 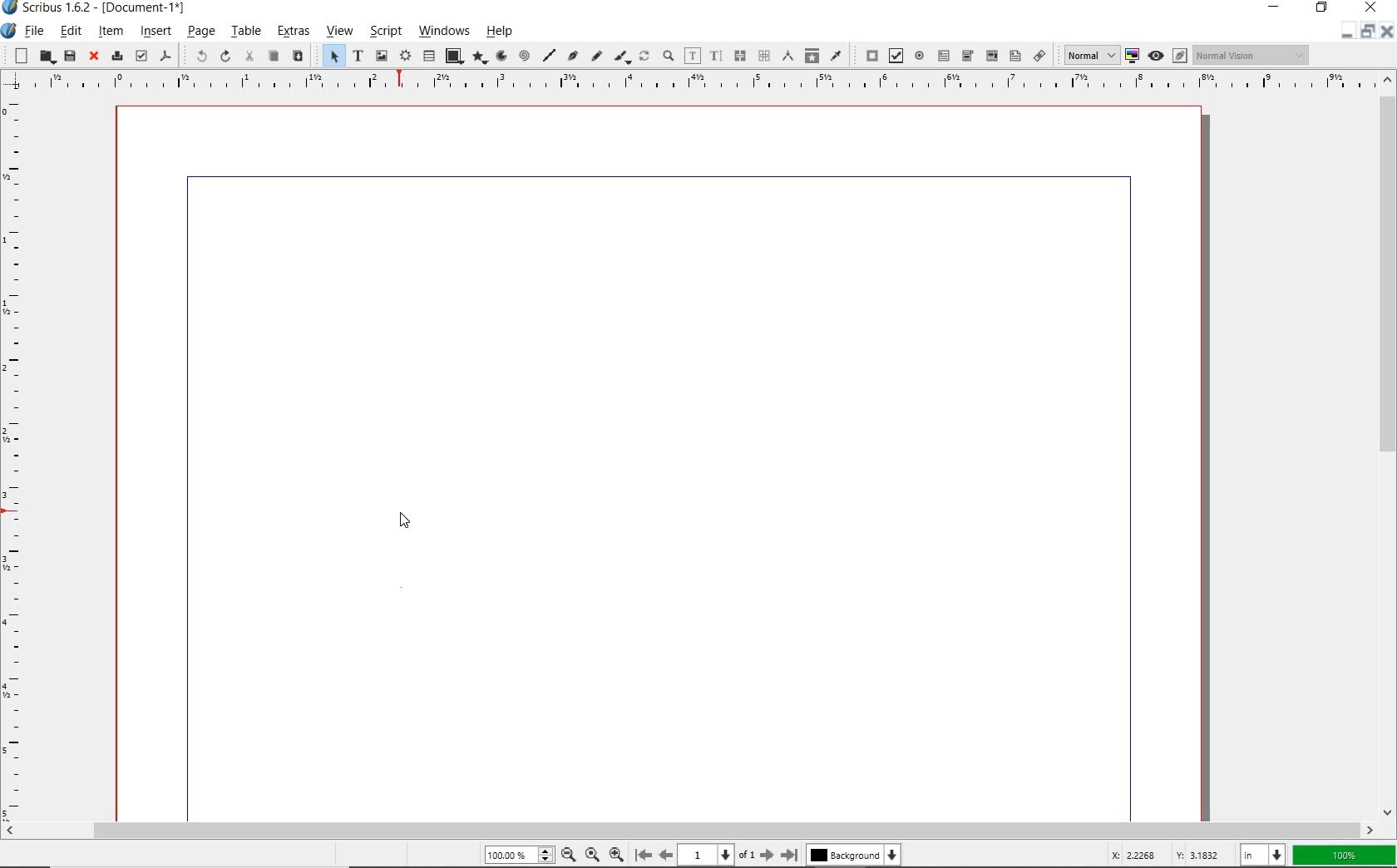 What do you see at coordinates (572, 57) in the screenshot?
I see `Bezier curve` at bounding box center [572, 57].